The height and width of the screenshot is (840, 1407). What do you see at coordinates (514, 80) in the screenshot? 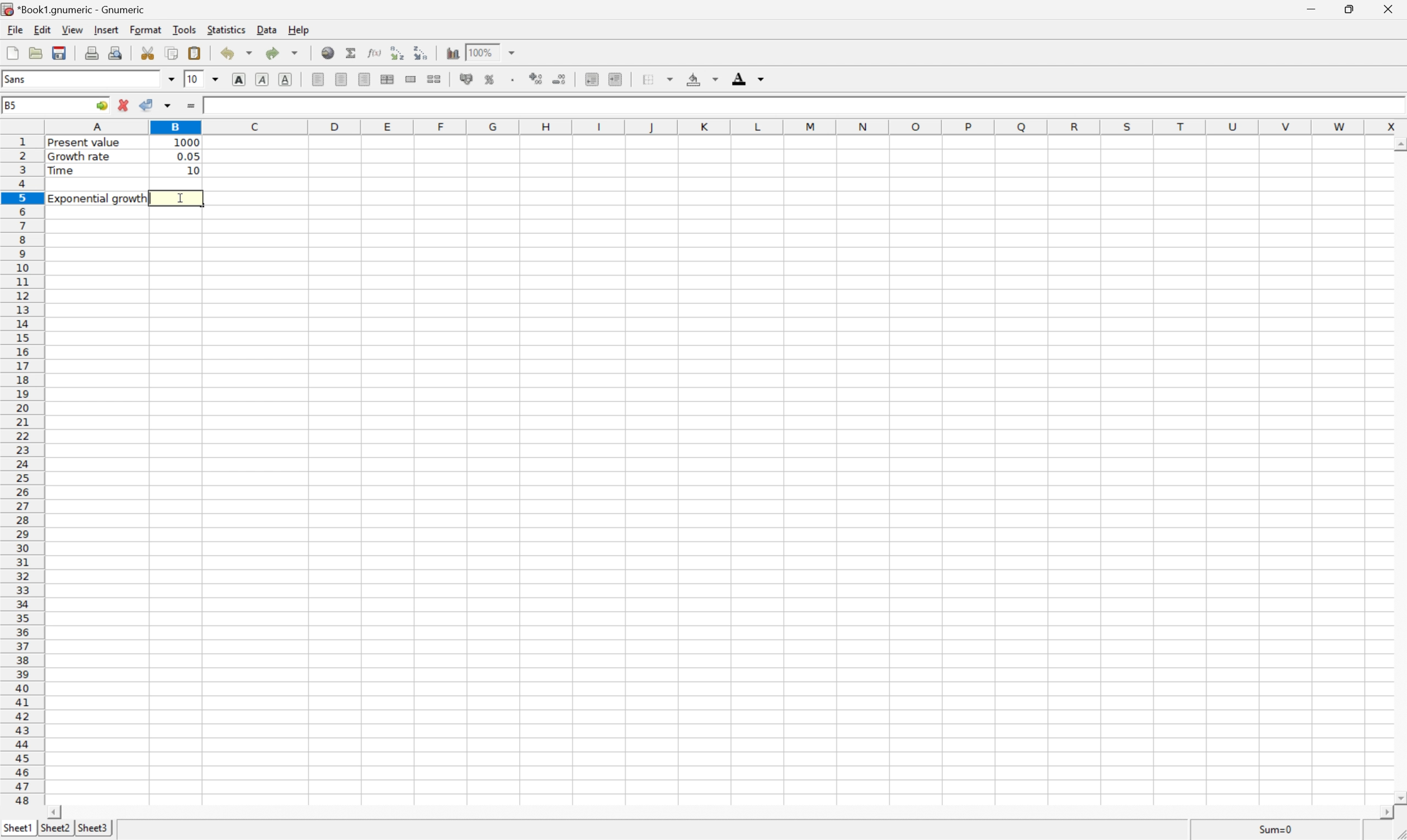
I see `Set the format of the selected cells to include a thousands separator` at bounding box center [514, 80].